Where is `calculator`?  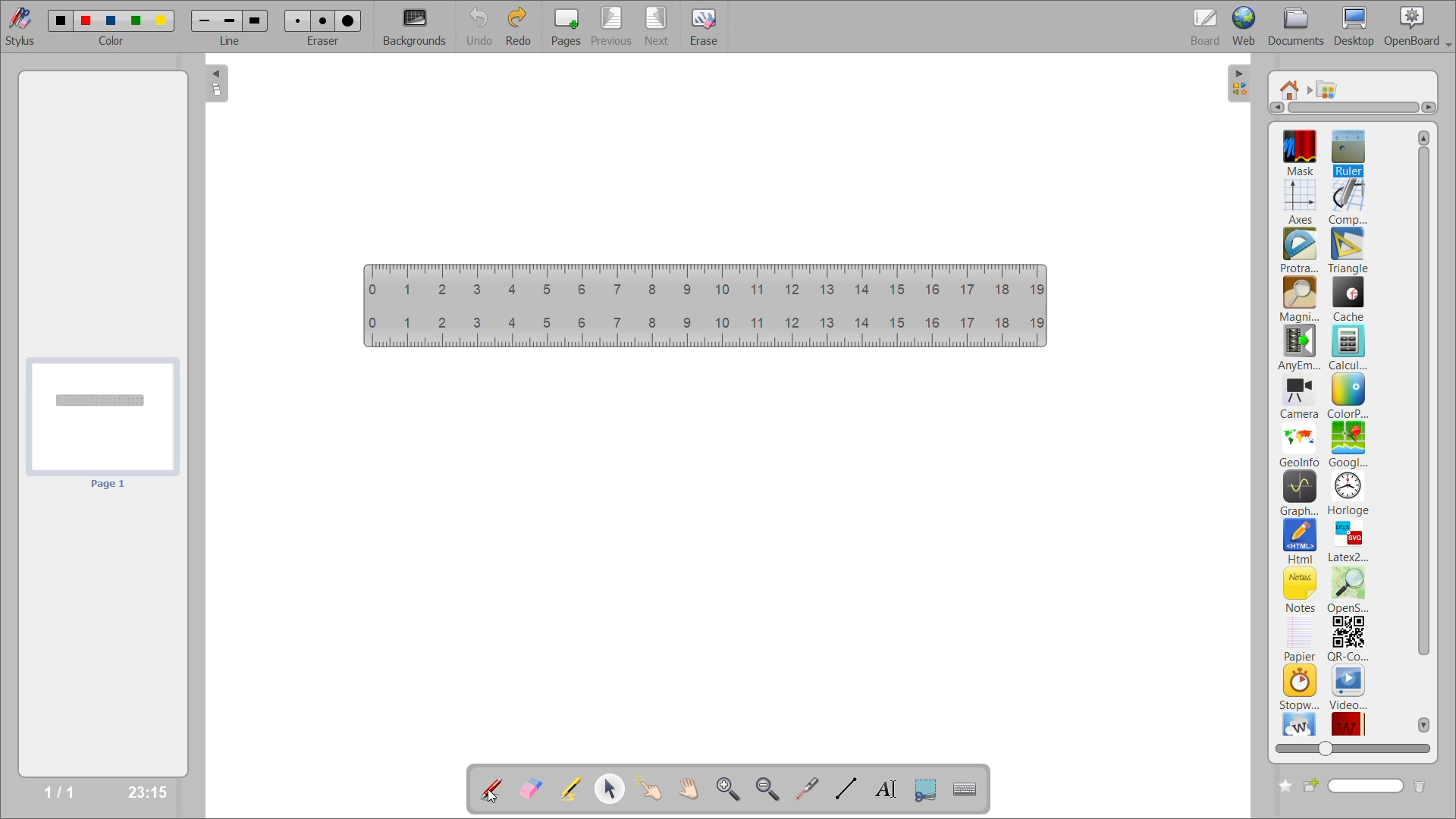 calculator is located at coordinates (1350, 347).